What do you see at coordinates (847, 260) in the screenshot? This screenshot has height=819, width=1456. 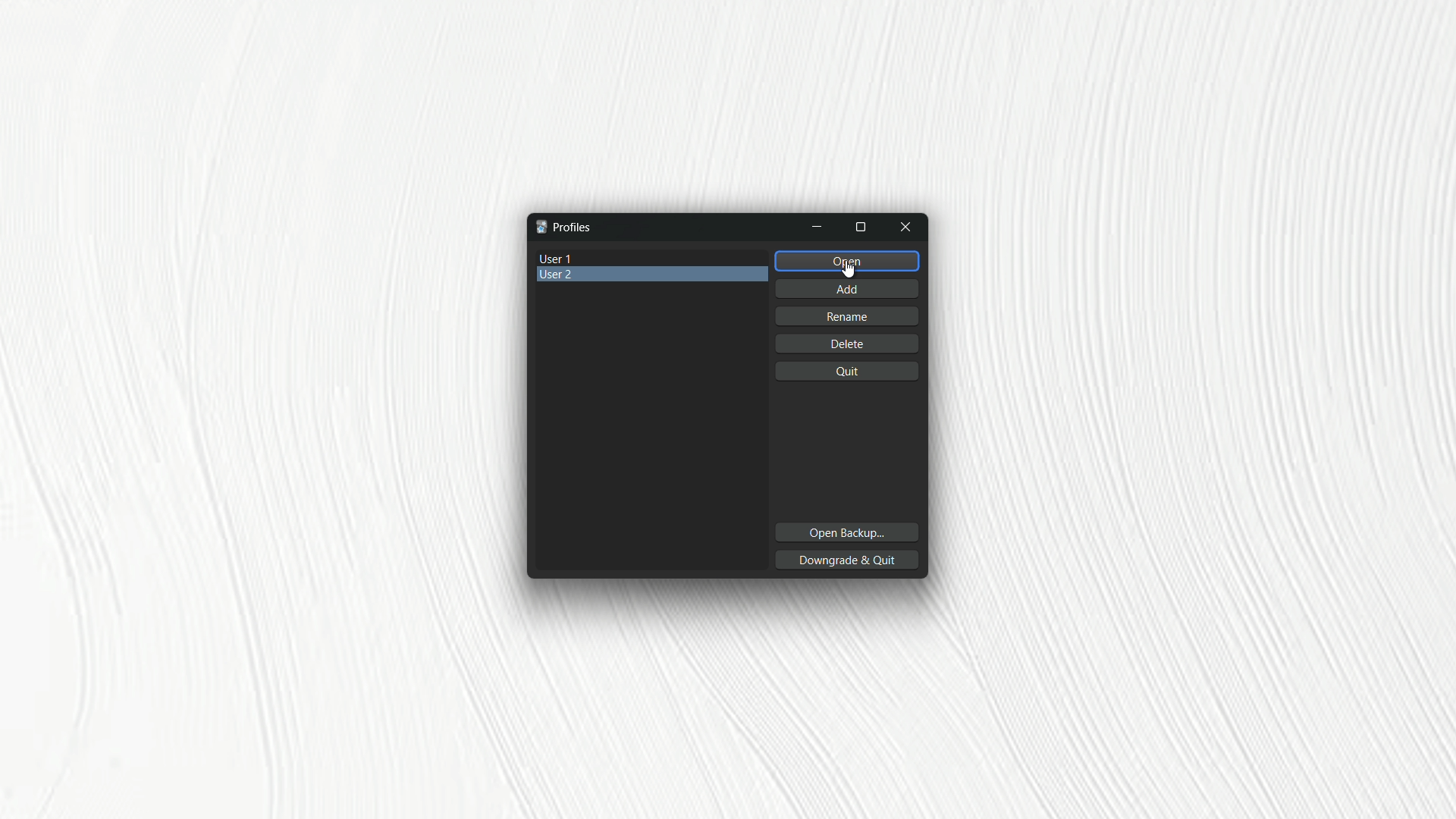 I see `open` at bounding box center [847, 260].